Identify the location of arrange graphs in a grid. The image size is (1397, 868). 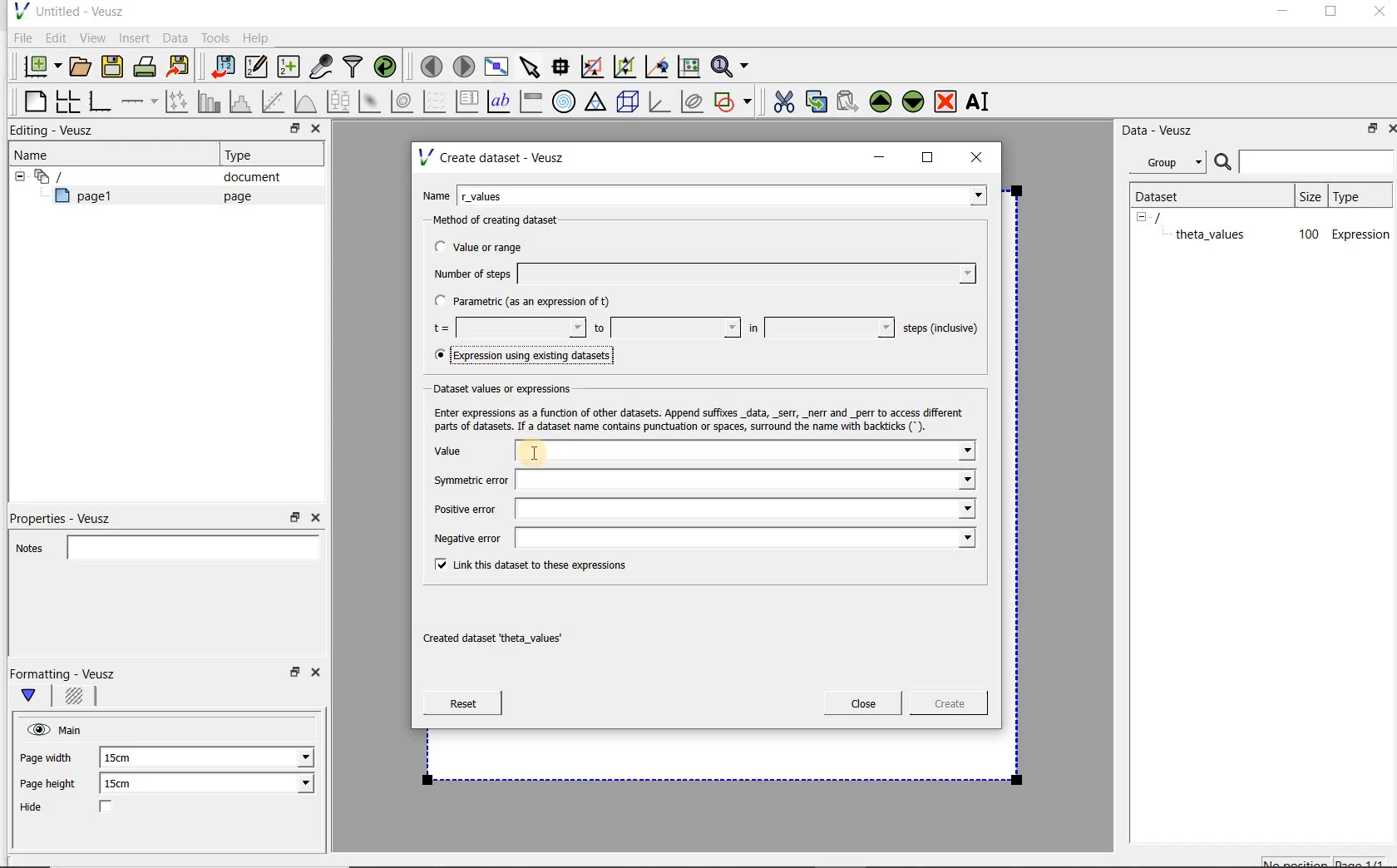
(67, 101).